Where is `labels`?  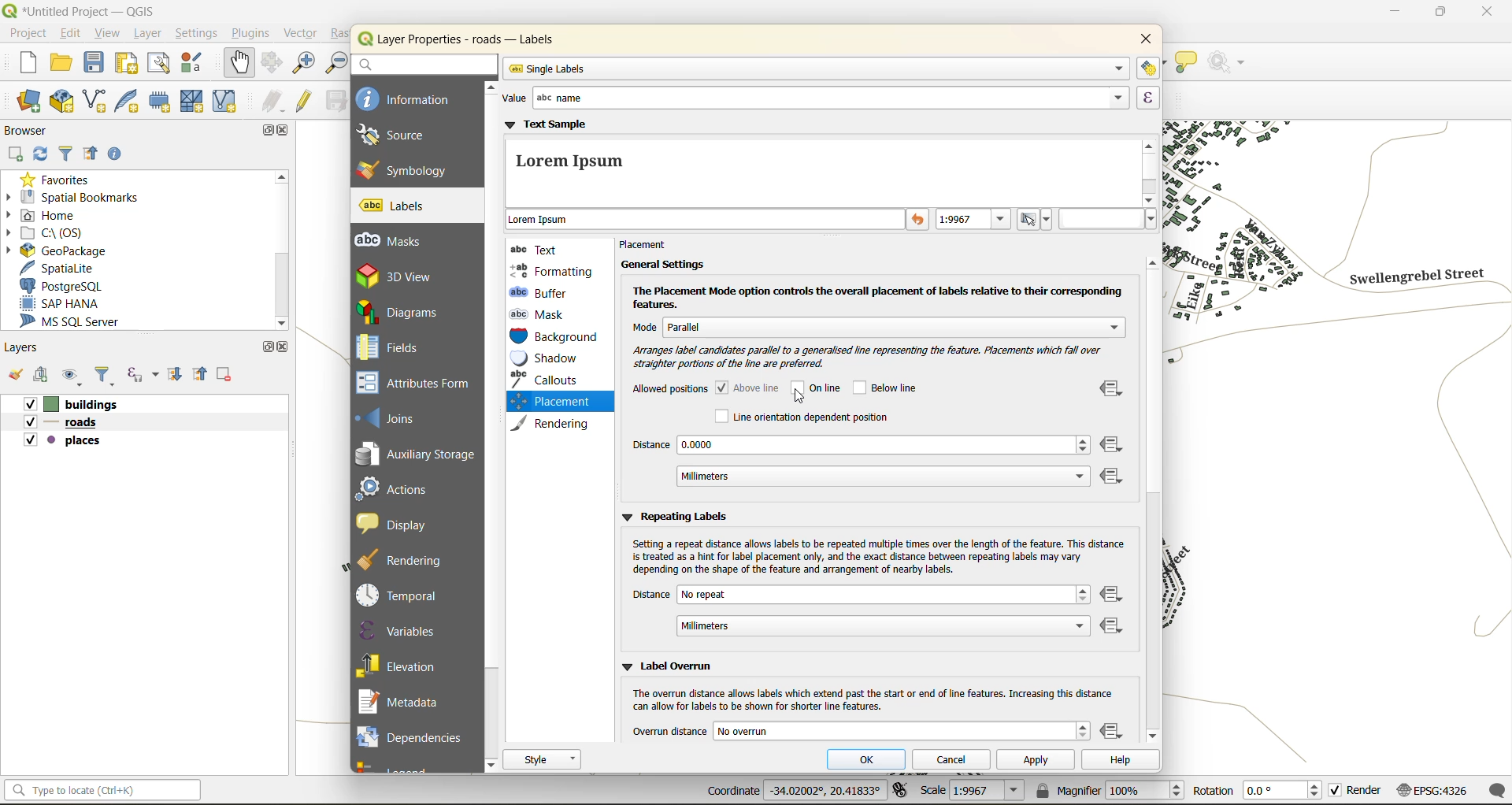 labels is located at coordinates (395, 206).